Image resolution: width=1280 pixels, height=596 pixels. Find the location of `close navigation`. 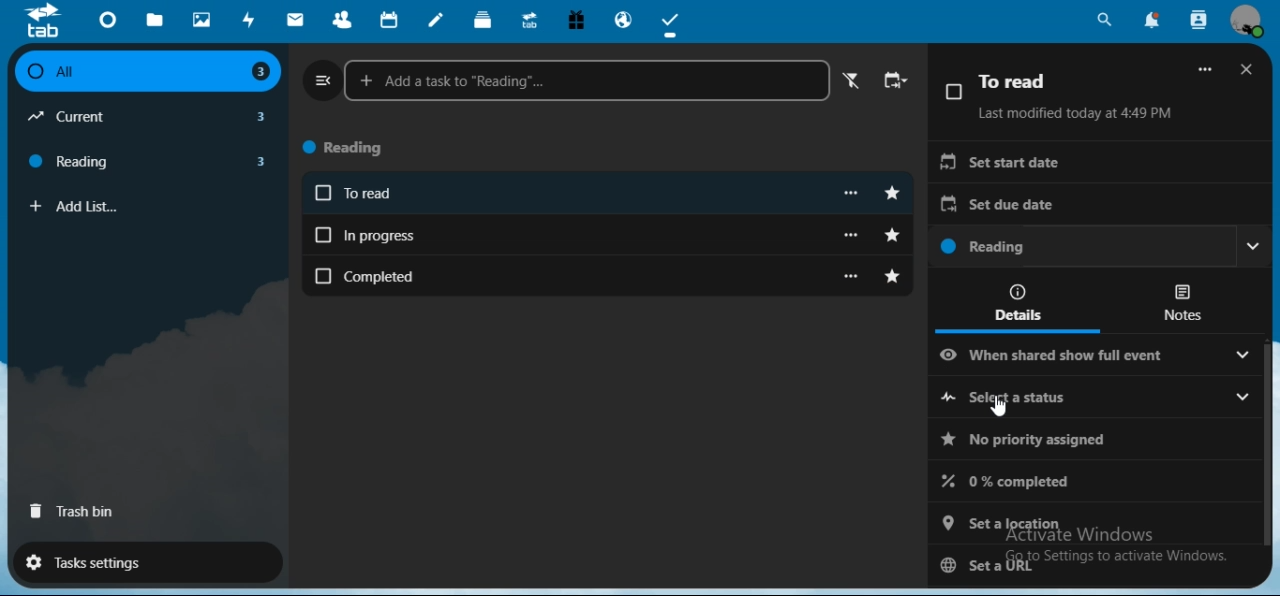

close navigation is located at coordinates (320, 79).